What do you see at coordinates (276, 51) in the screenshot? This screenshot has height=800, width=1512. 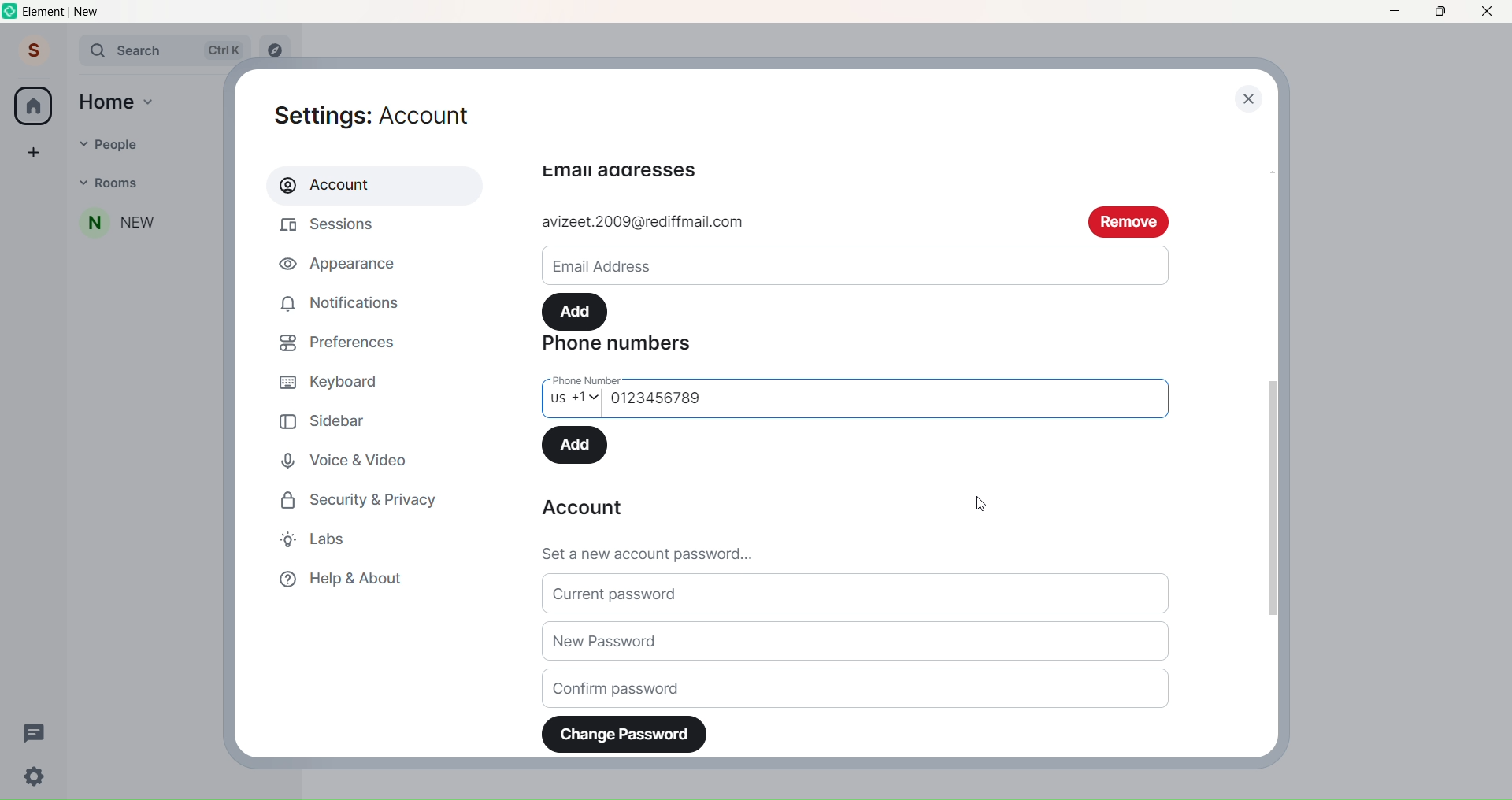 I see `Explore rooms` at bounding box center [276, 51].